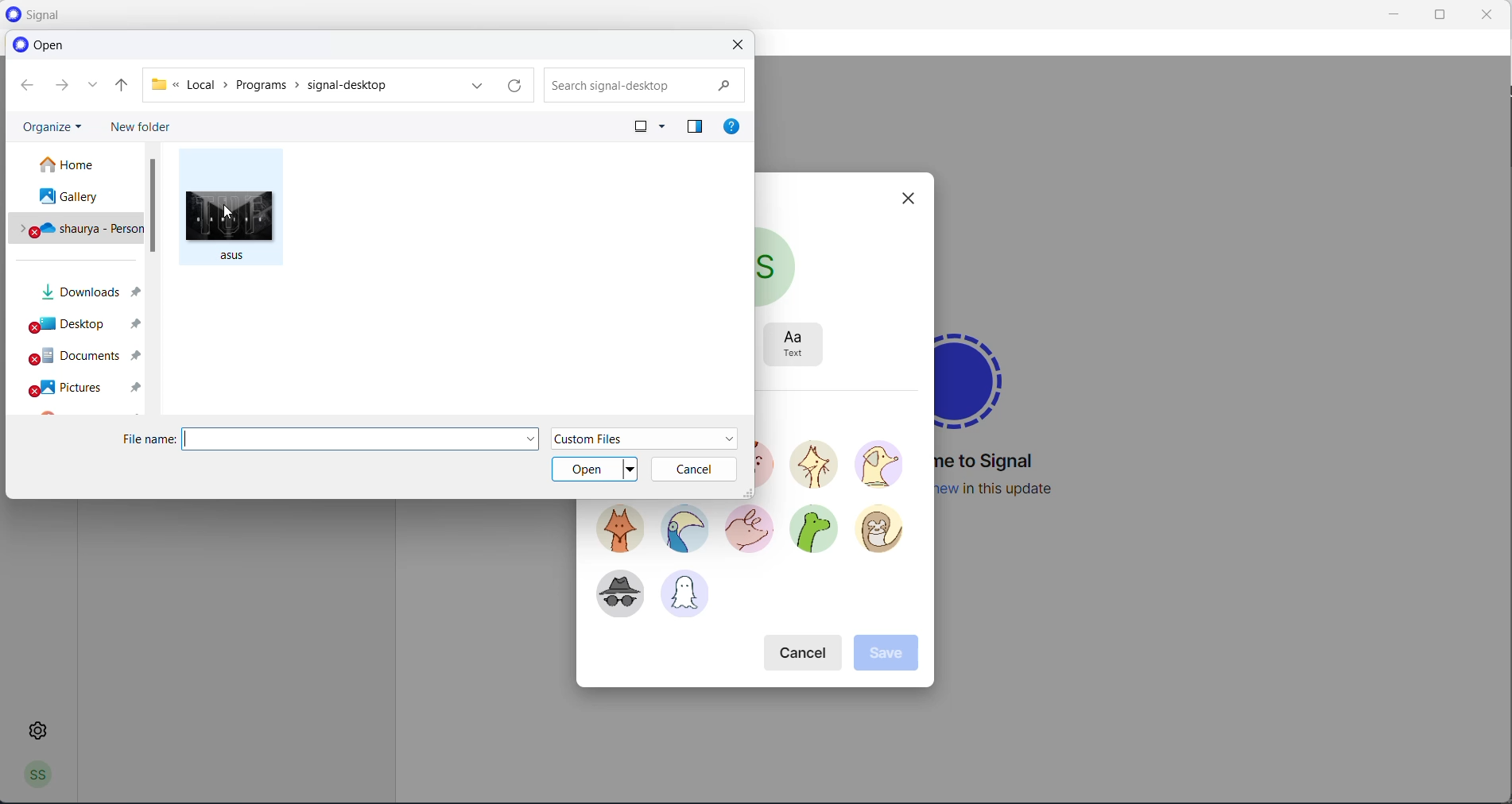  Describe the element at coordinates (61, 87) in the screenshot. I see `go forward` at that location.